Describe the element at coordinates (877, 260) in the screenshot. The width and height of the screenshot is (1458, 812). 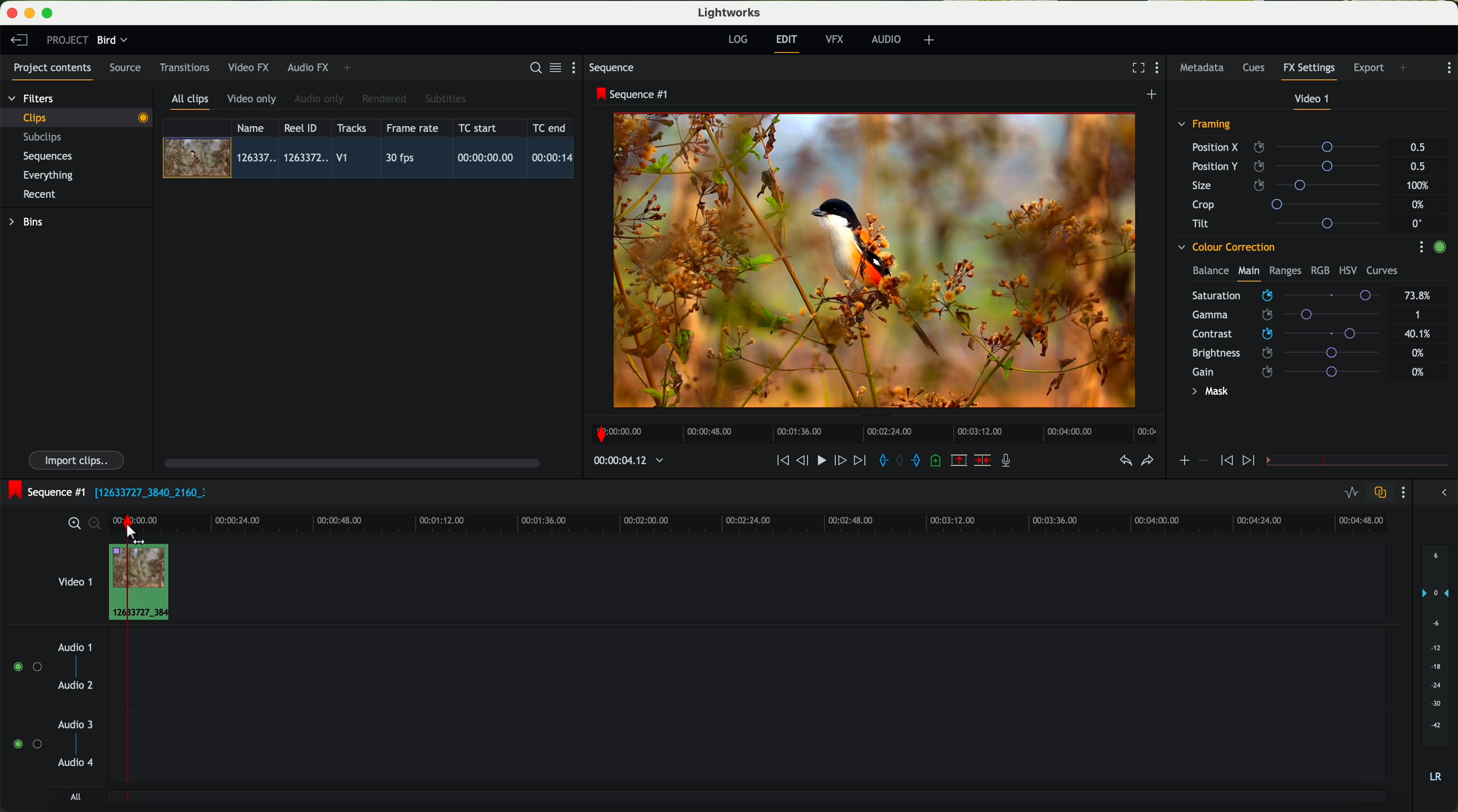
I see `applied effect` at that location.